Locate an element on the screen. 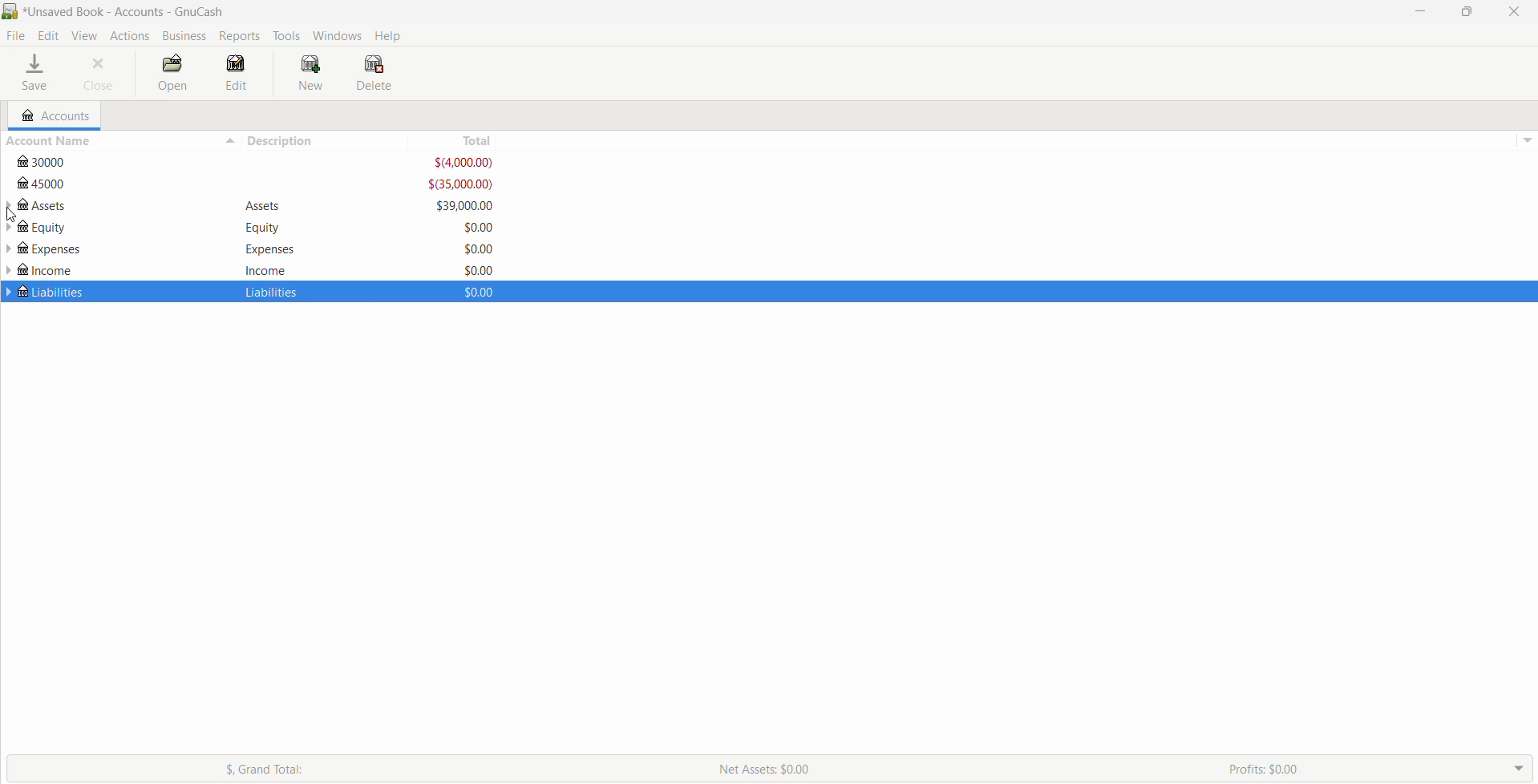 The height and width of the screenshot is (784, 1538). Reports is located at coordinates (242, 36).